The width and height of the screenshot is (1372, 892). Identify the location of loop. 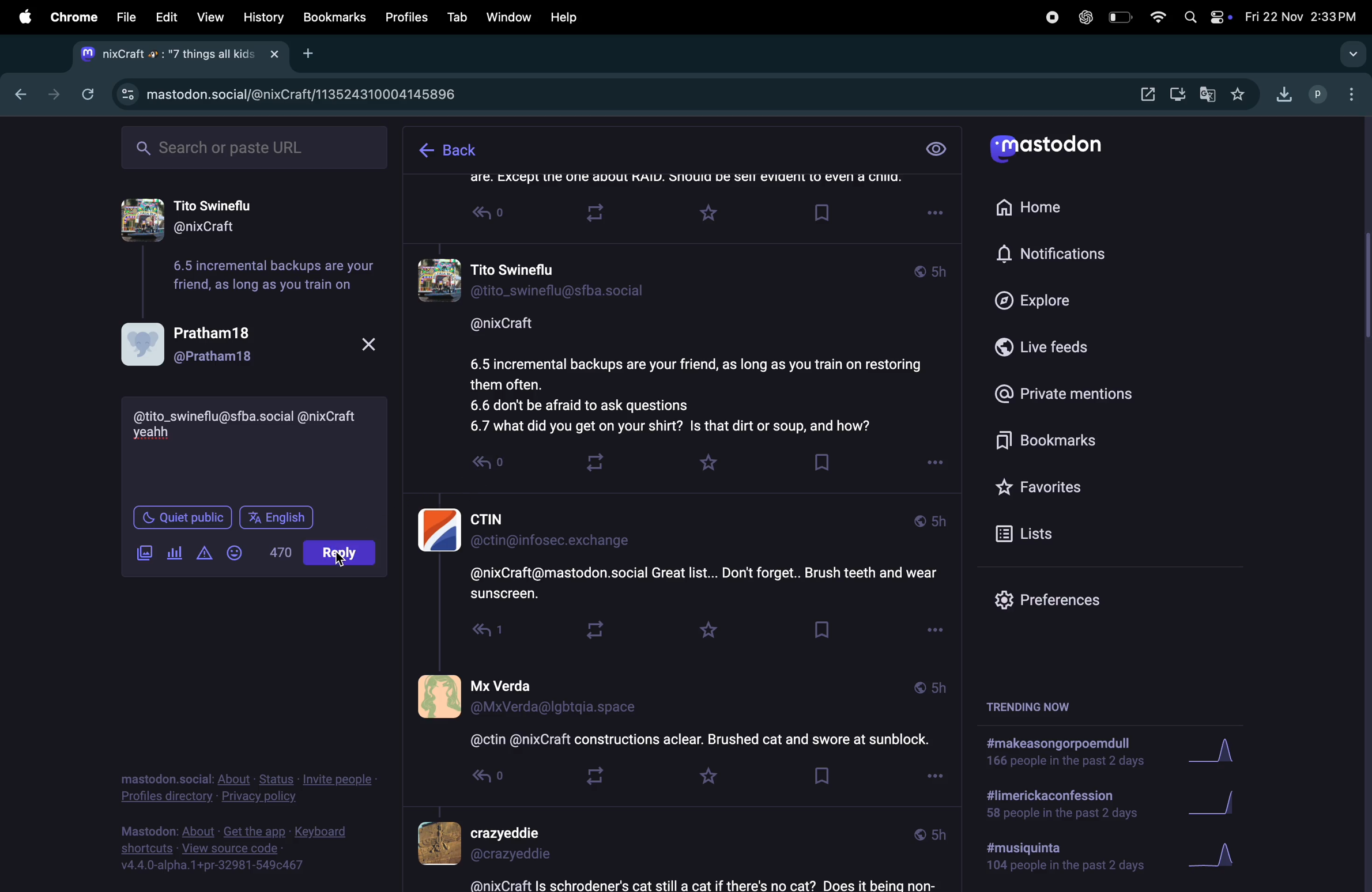
(595, 632).